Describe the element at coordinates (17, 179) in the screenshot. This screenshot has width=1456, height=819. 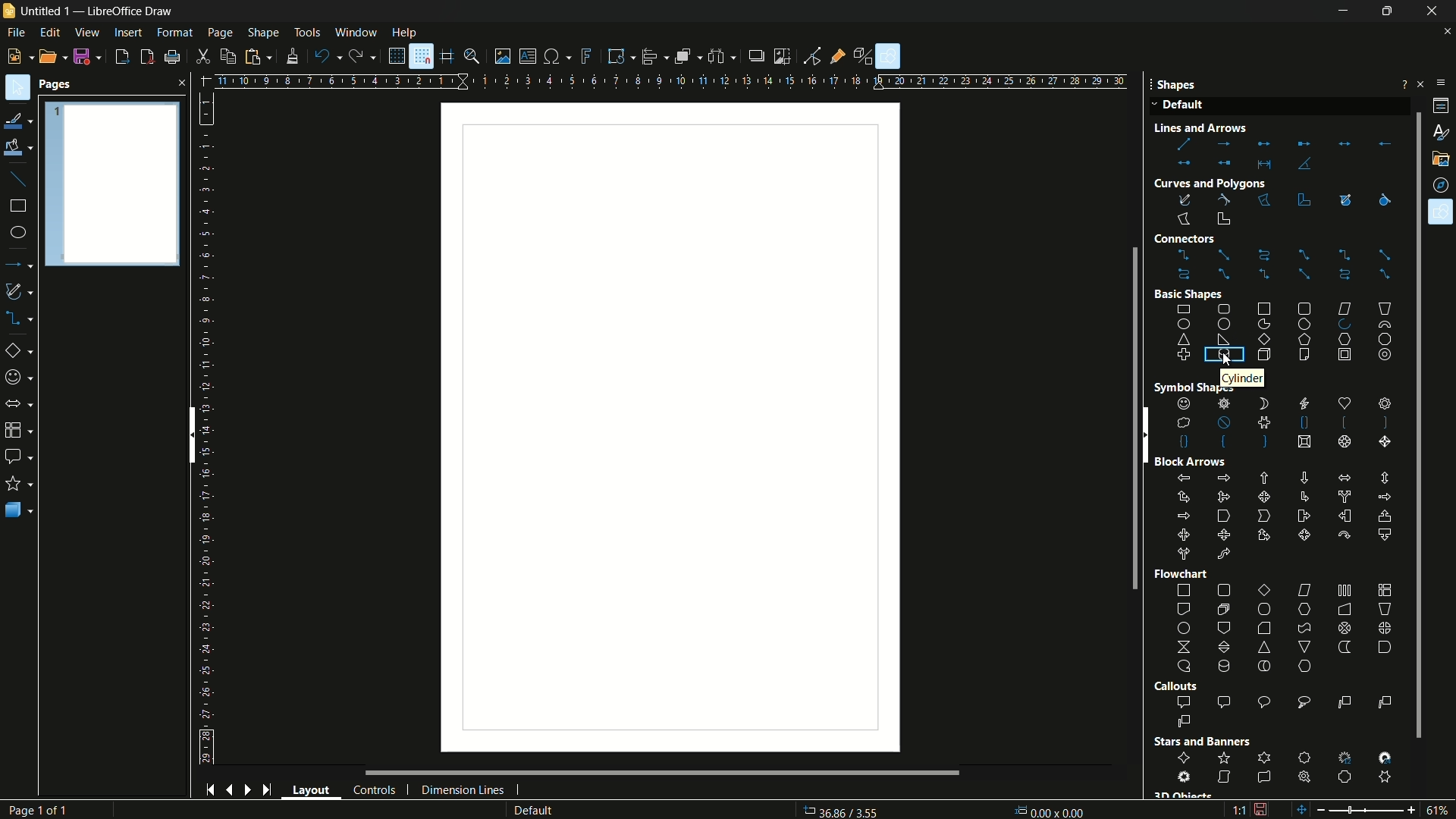
I see `insert line` at that location.